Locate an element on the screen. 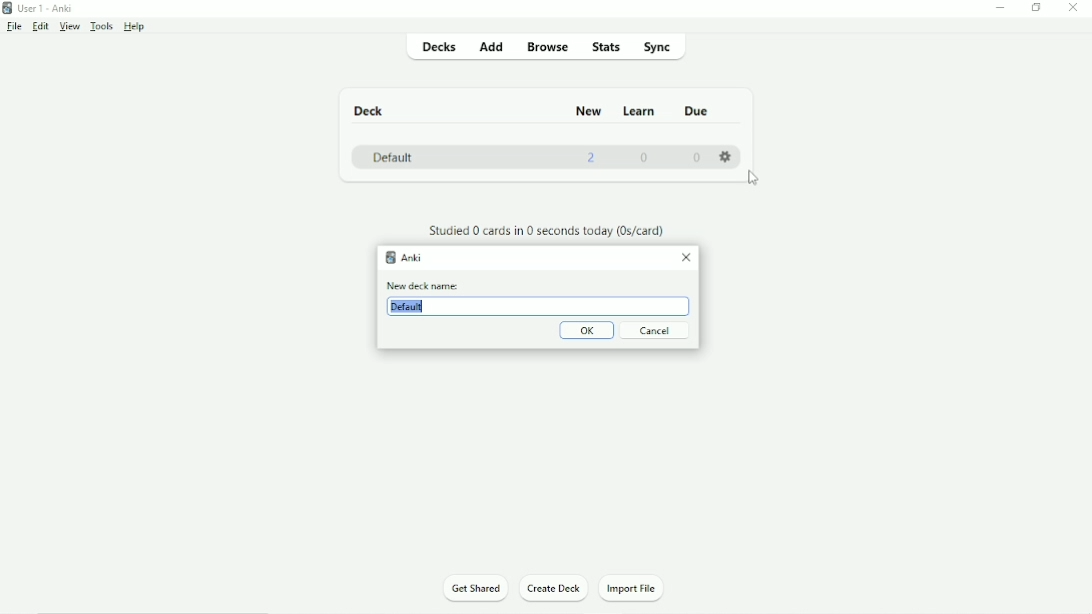  Tools is located at coordinates (101, 26).